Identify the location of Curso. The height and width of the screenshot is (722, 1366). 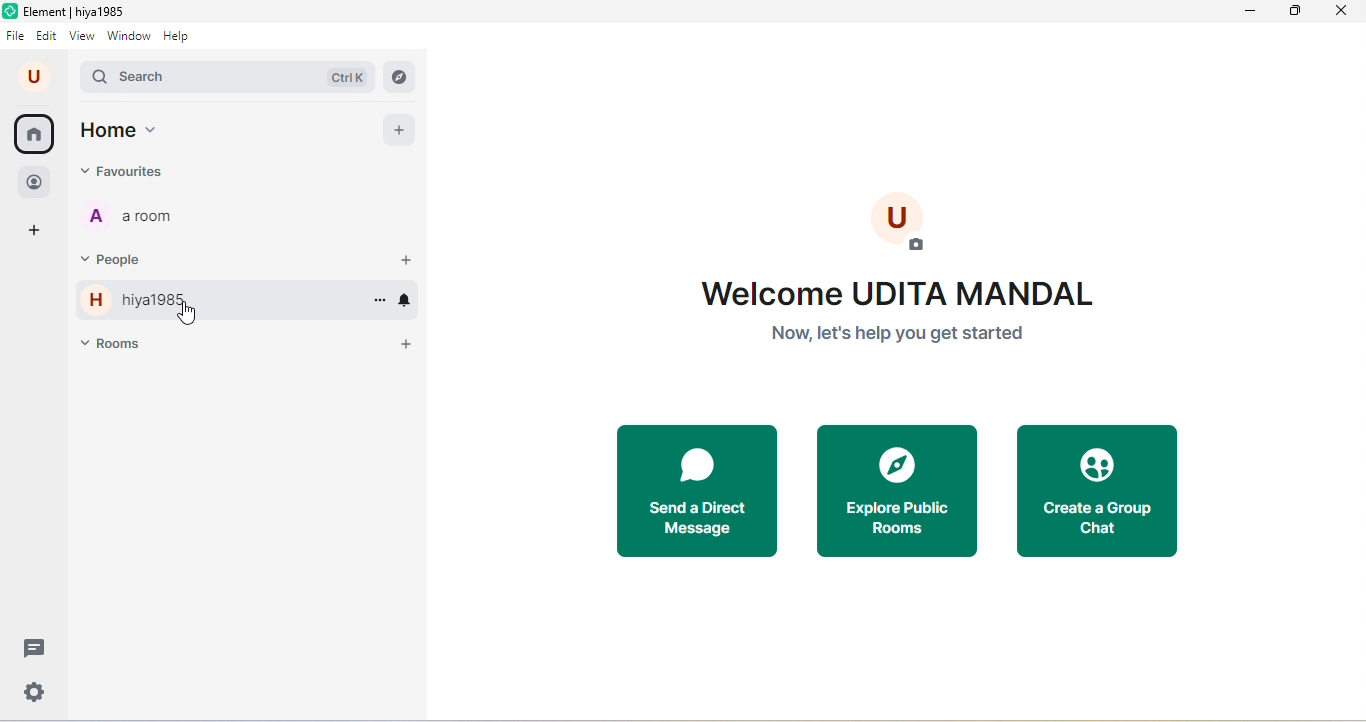
(190, 314).